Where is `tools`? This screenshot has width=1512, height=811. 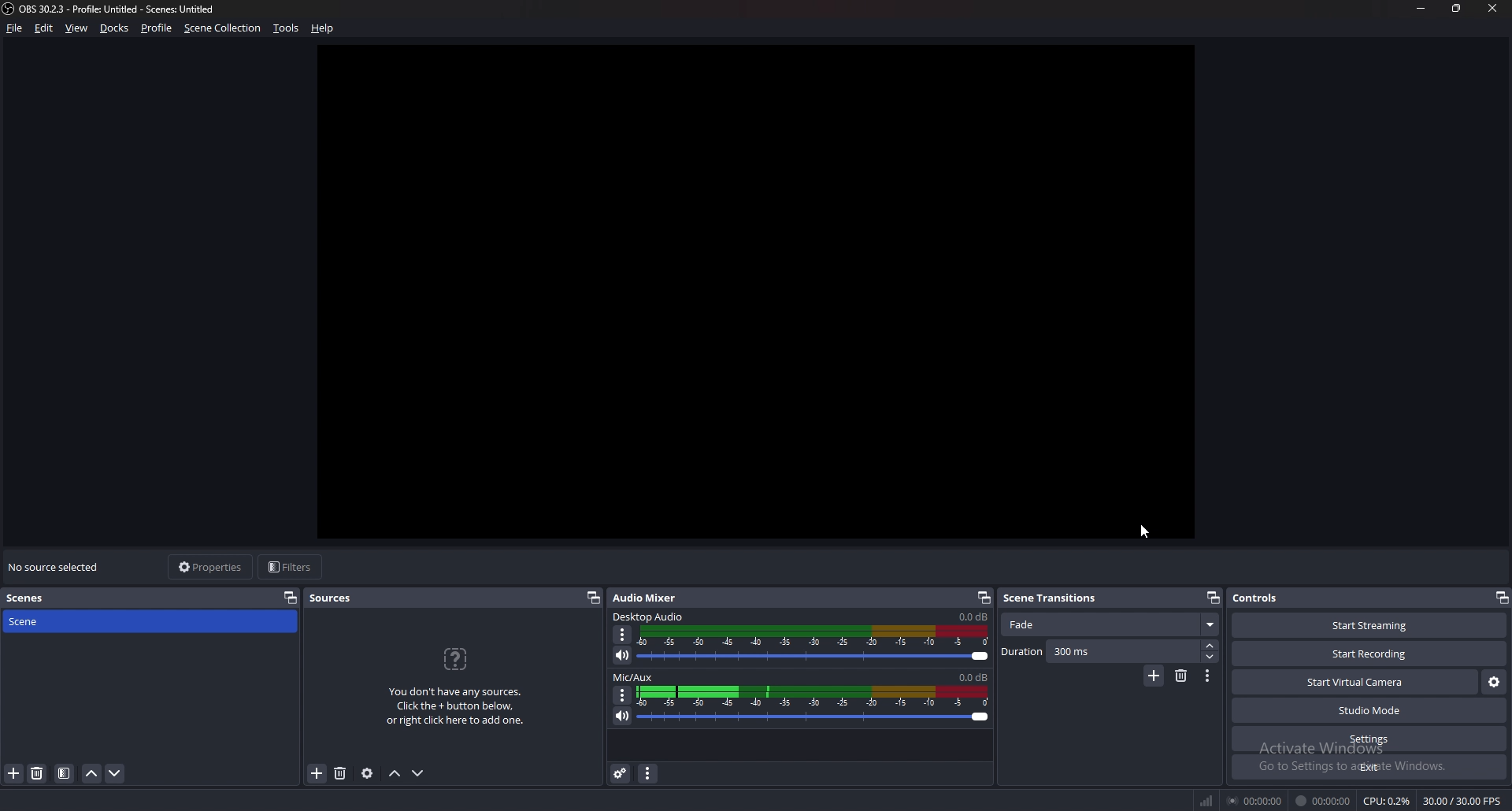 tools is located at coordinates (285, 29).